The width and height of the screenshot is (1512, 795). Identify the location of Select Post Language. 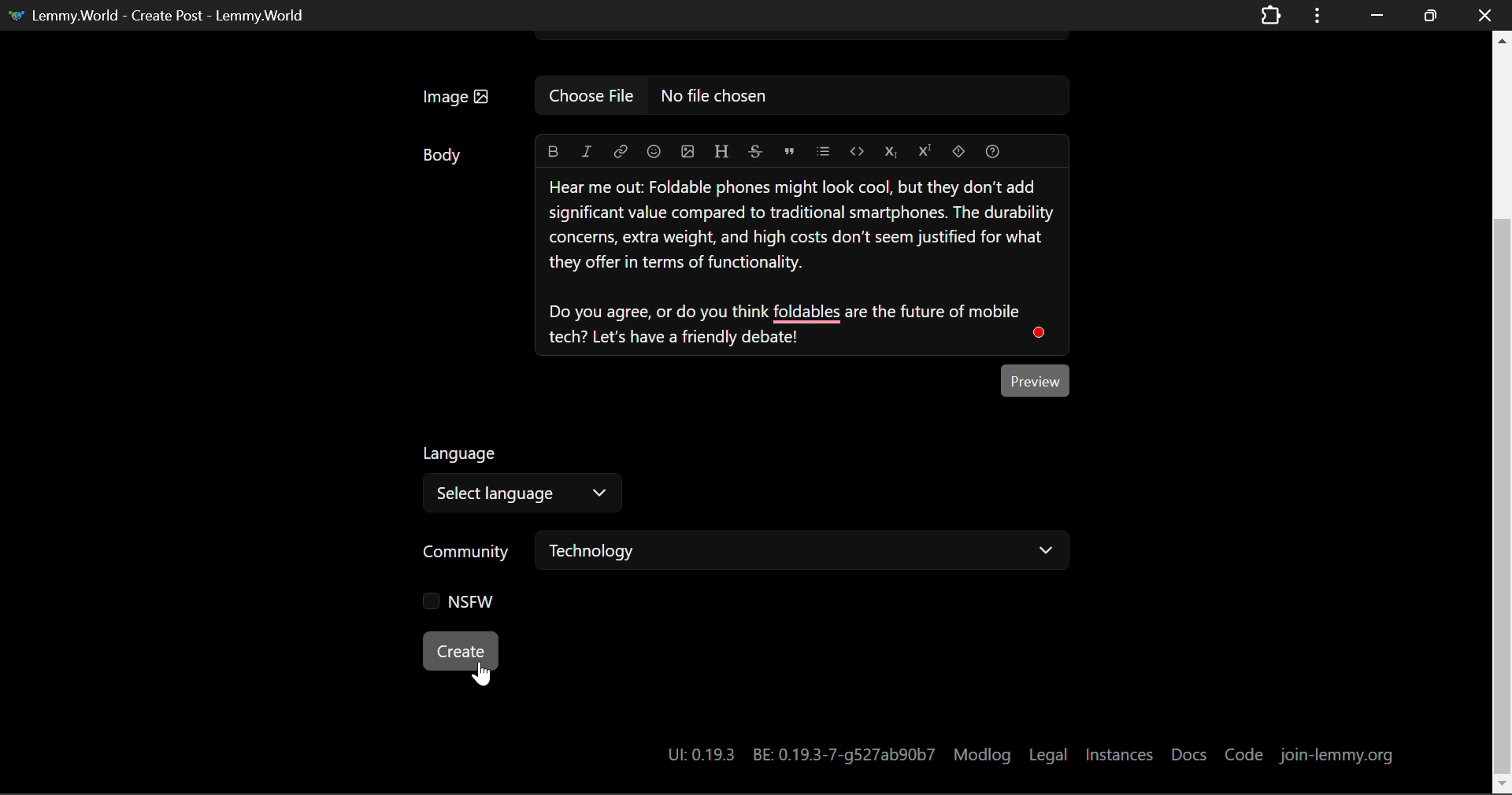
(520, 481).